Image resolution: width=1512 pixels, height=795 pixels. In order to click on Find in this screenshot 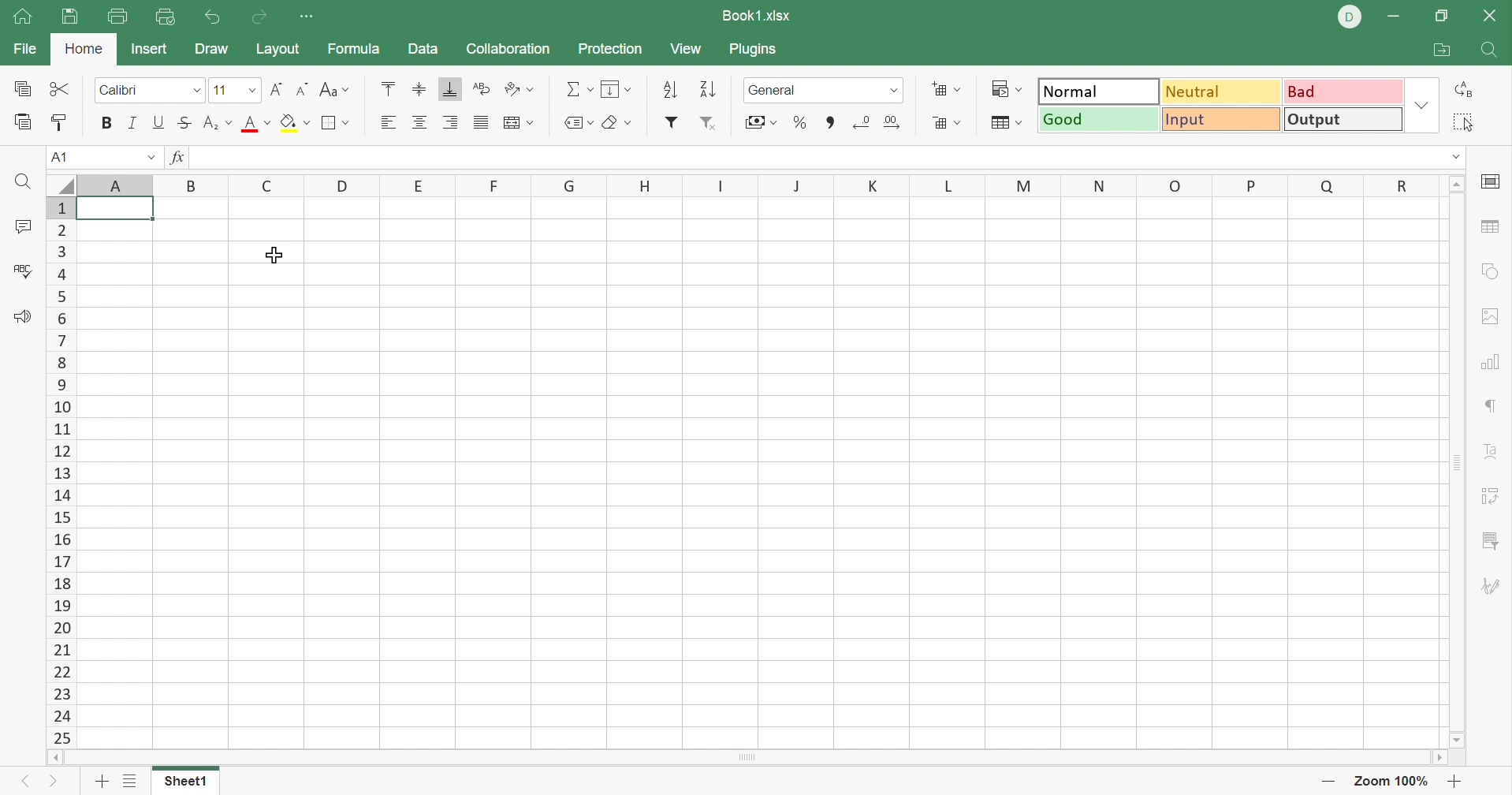, I will do `click(23, 181)`.